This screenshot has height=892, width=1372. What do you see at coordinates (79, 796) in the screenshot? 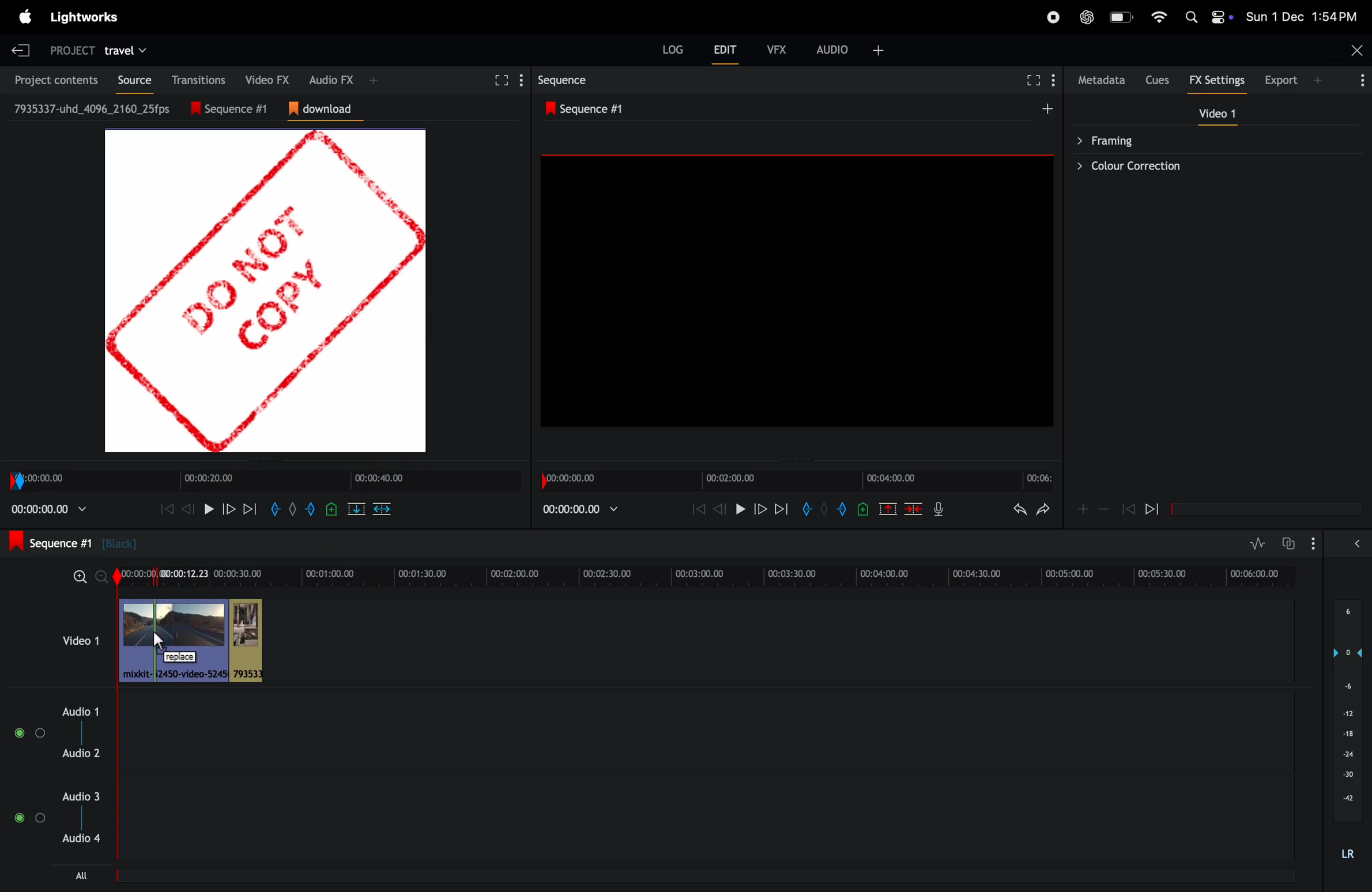
I see `audio 3` at bounding box center [79, 796].